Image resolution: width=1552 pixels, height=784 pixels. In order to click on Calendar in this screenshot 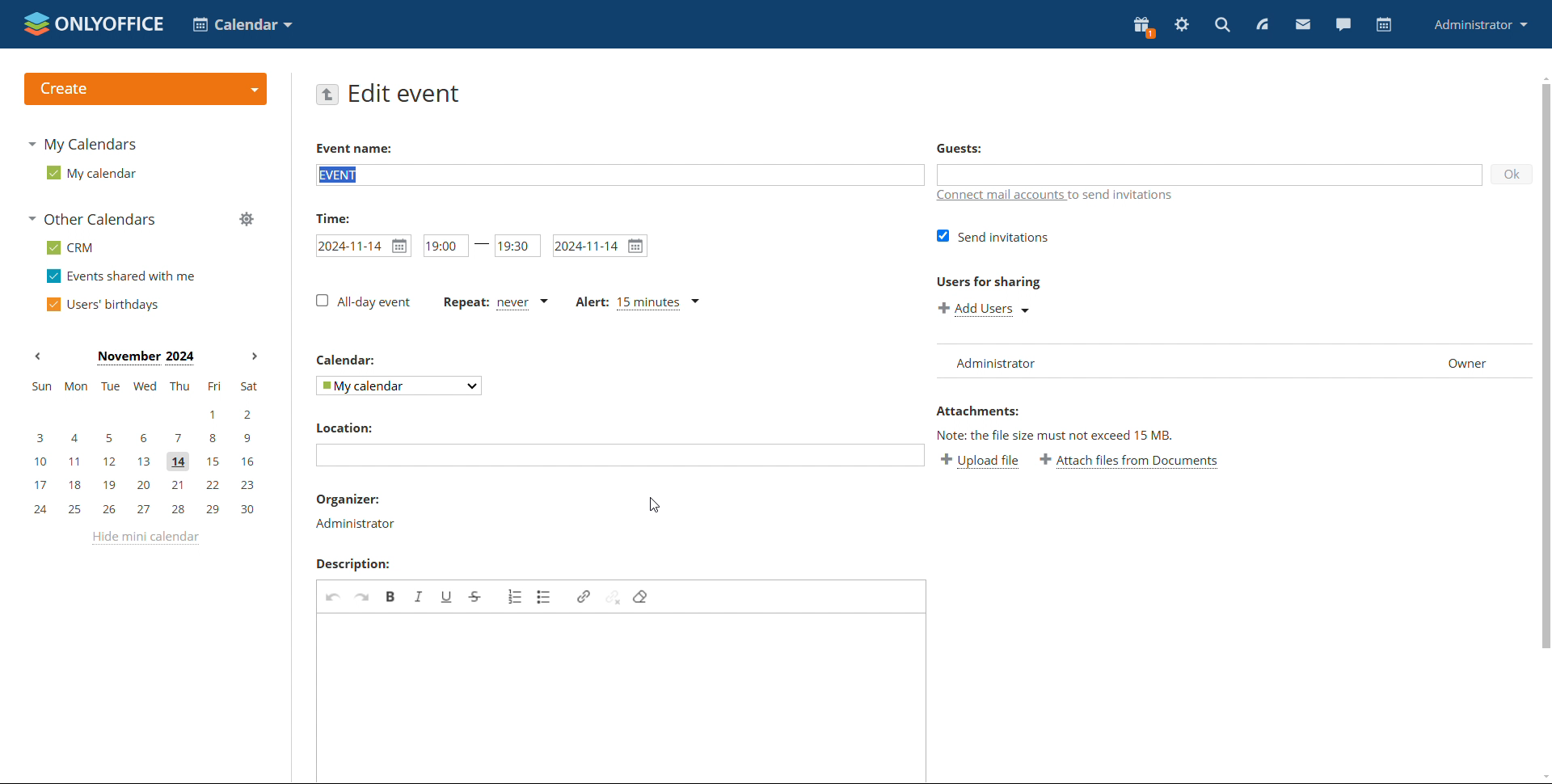, I will do `click(349, 362)`.